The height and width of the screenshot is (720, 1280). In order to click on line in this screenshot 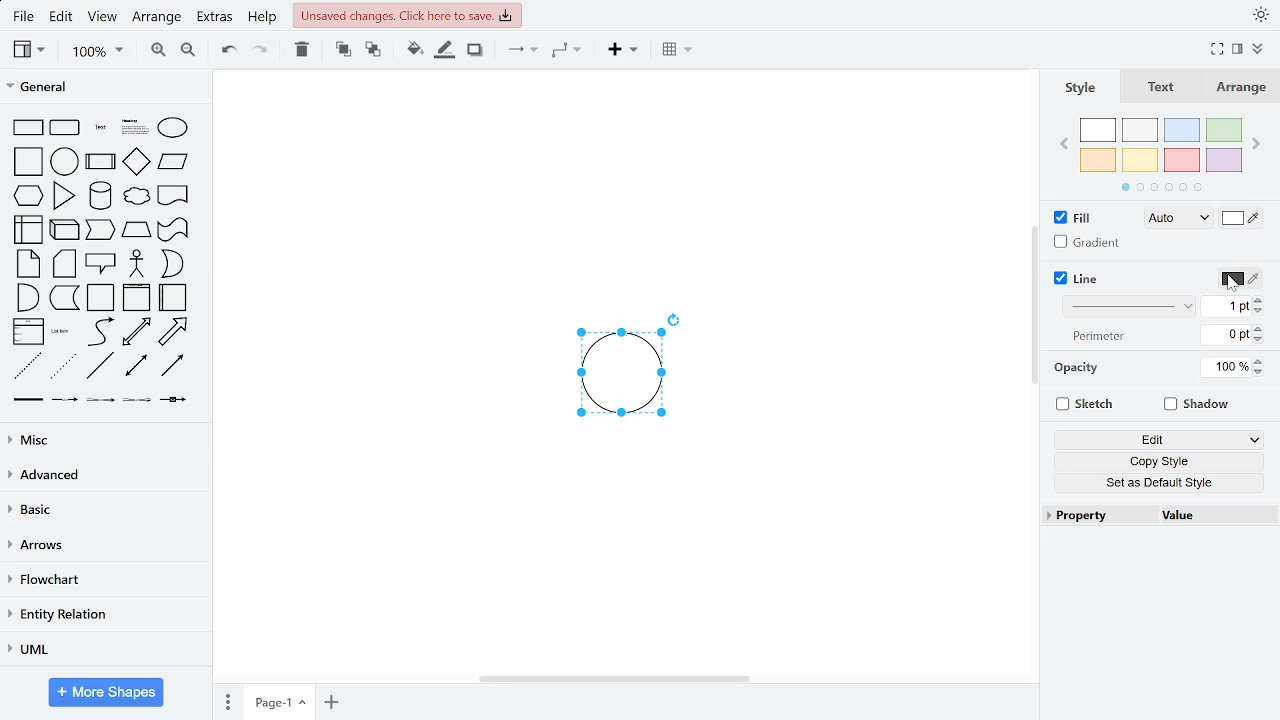, I will do `click(102, 367)`.